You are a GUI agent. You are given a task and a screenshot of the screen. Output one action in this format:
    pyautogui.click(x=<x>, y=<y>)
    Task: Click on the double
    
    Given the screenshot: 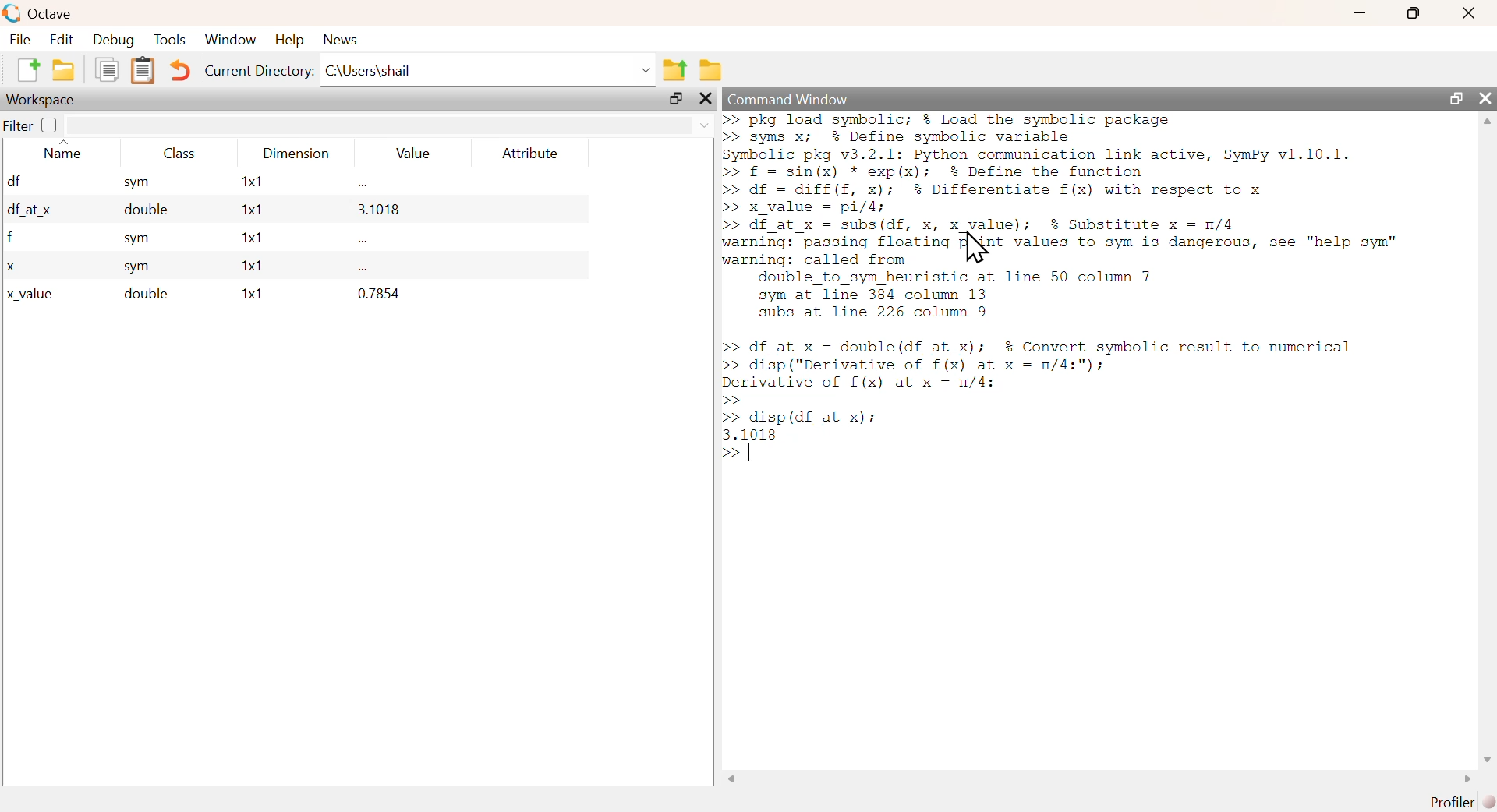 What is the action you would take?
    pyautogui.click(x=143, y=294)
    